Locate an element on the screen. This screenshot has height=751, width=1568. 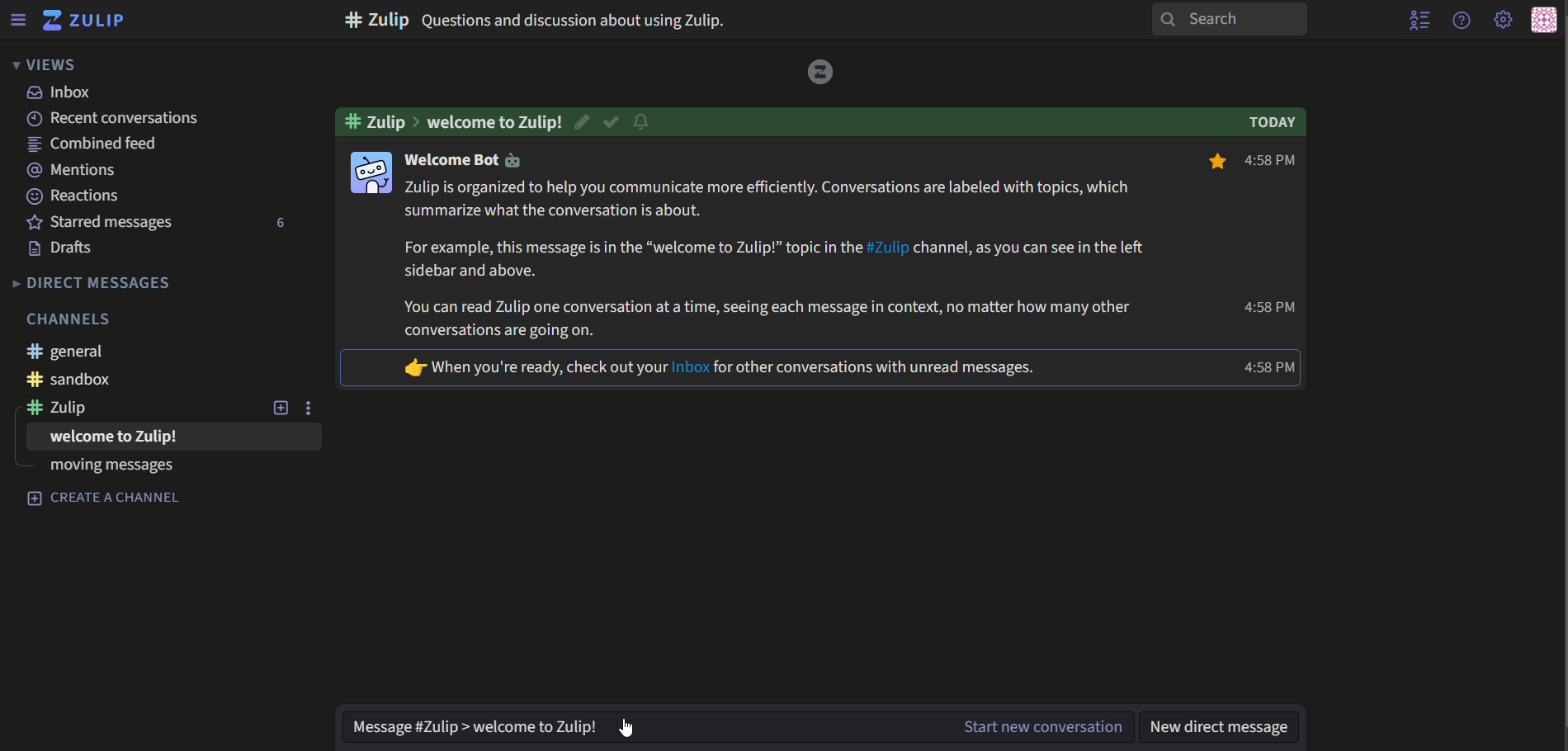
text is located at coordinates (75, 318).